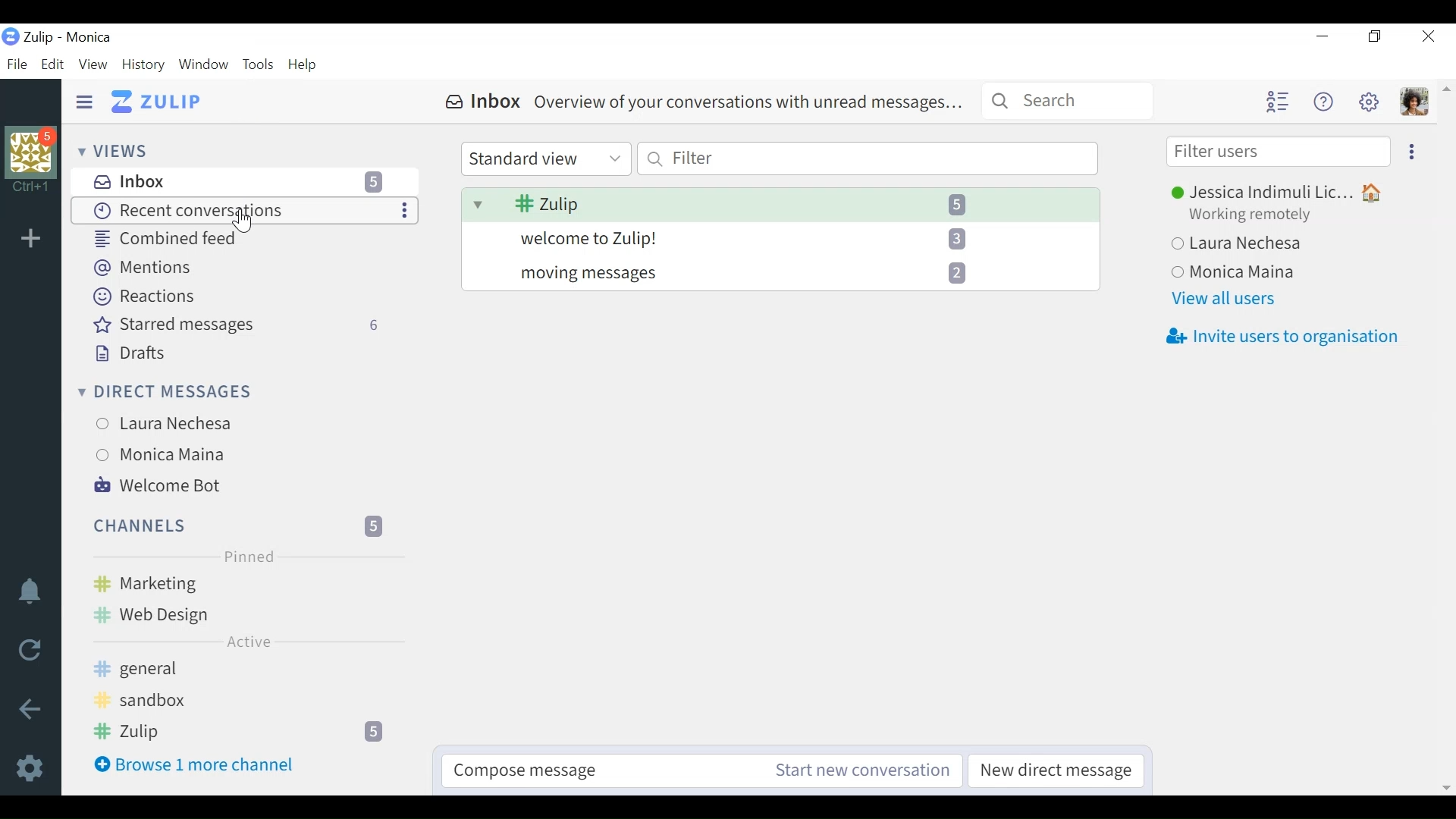  What do you see at coordinates (174, 391) in the screenshot?
I see `Direct Messages` at bounding box center [174, 391].